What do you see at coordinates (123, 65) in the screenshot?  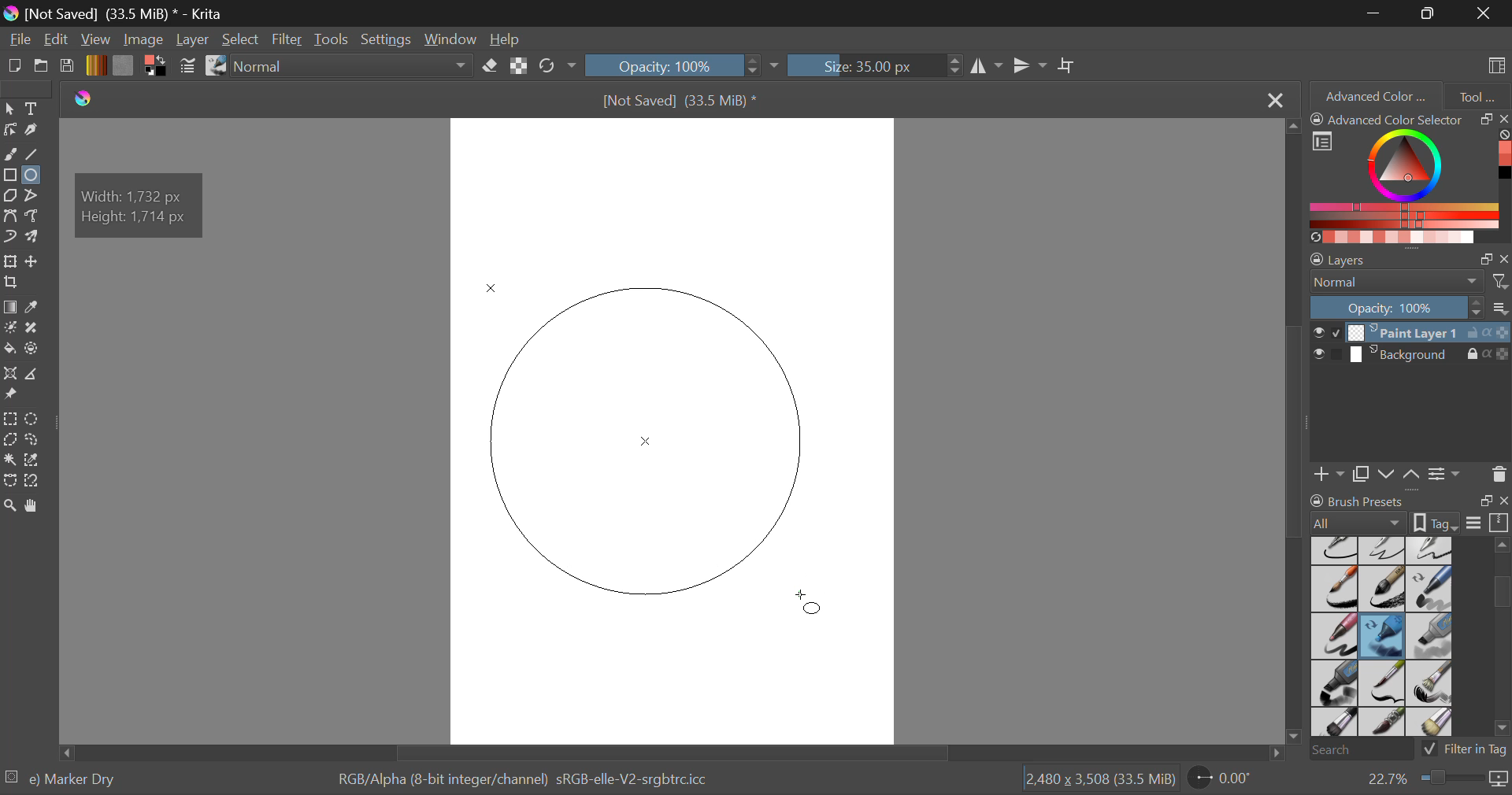 I see `Texture` at bounding box center [123, 65].